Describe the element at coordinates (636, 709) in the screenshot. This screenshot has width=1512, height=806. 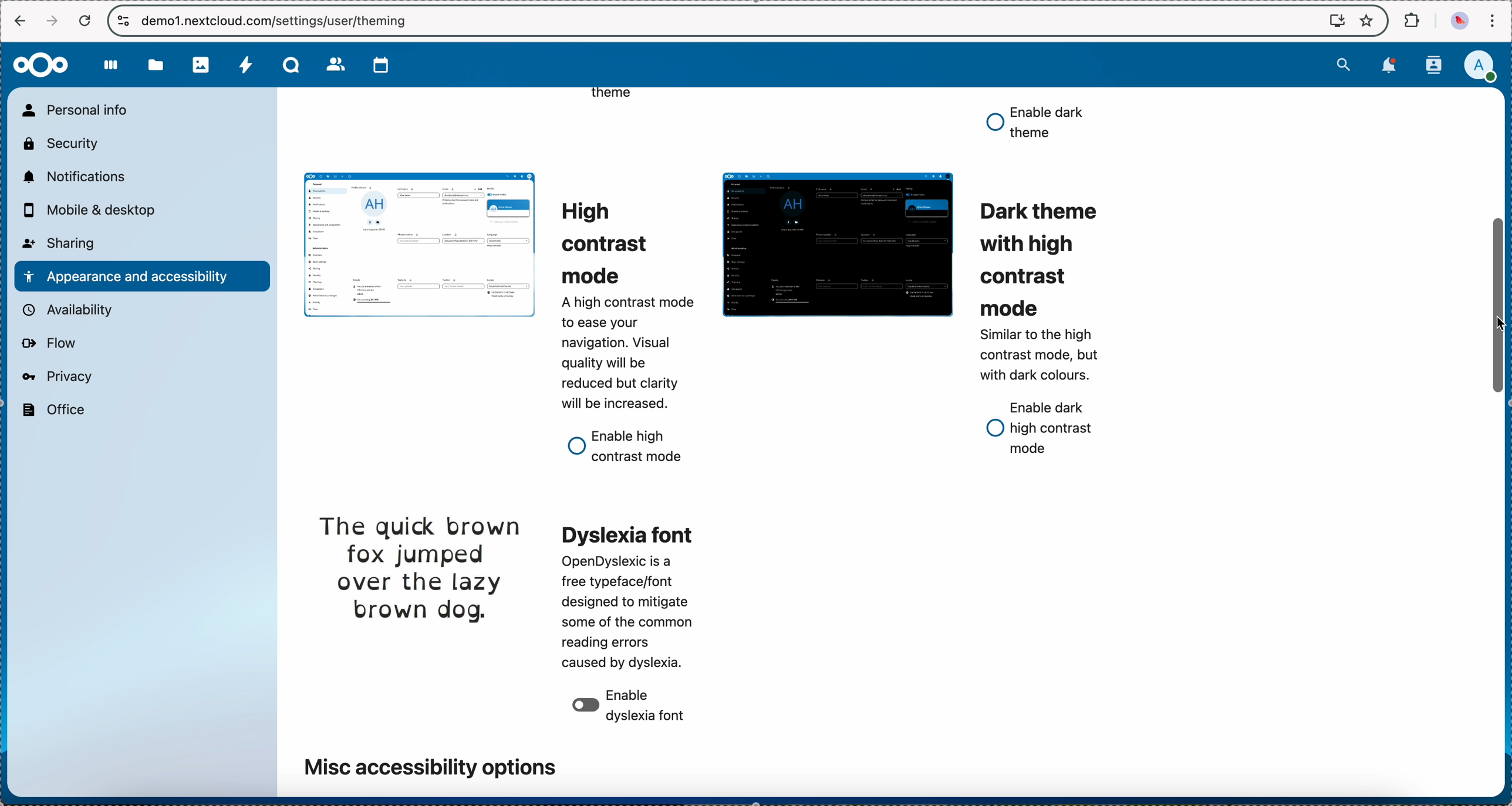
I see `disable dyslexia font option` at that location.